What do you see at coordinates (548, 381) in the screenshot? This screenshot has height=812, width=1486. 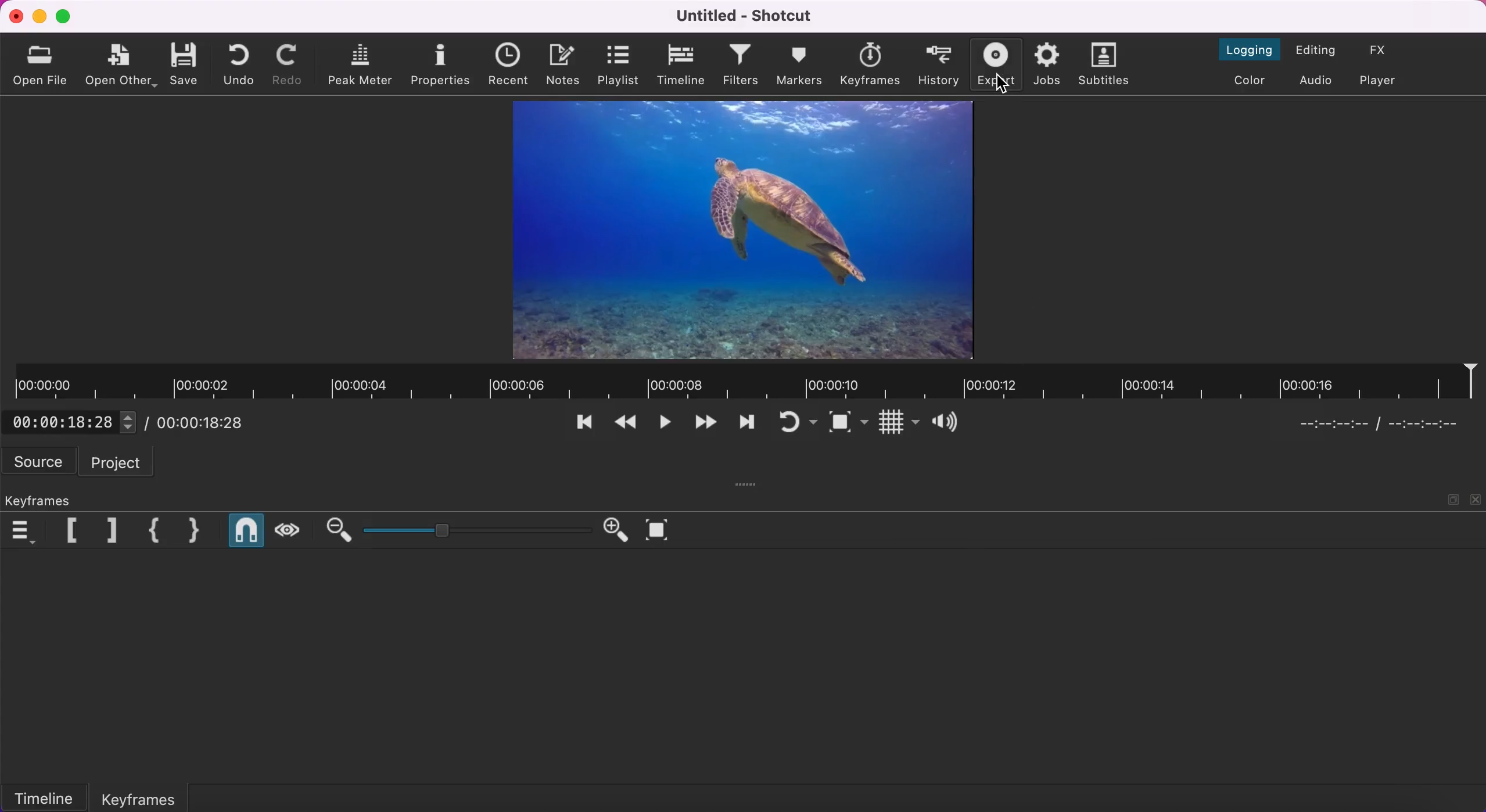 I see `clip duration/timeline` at bounding box center [548, 381].